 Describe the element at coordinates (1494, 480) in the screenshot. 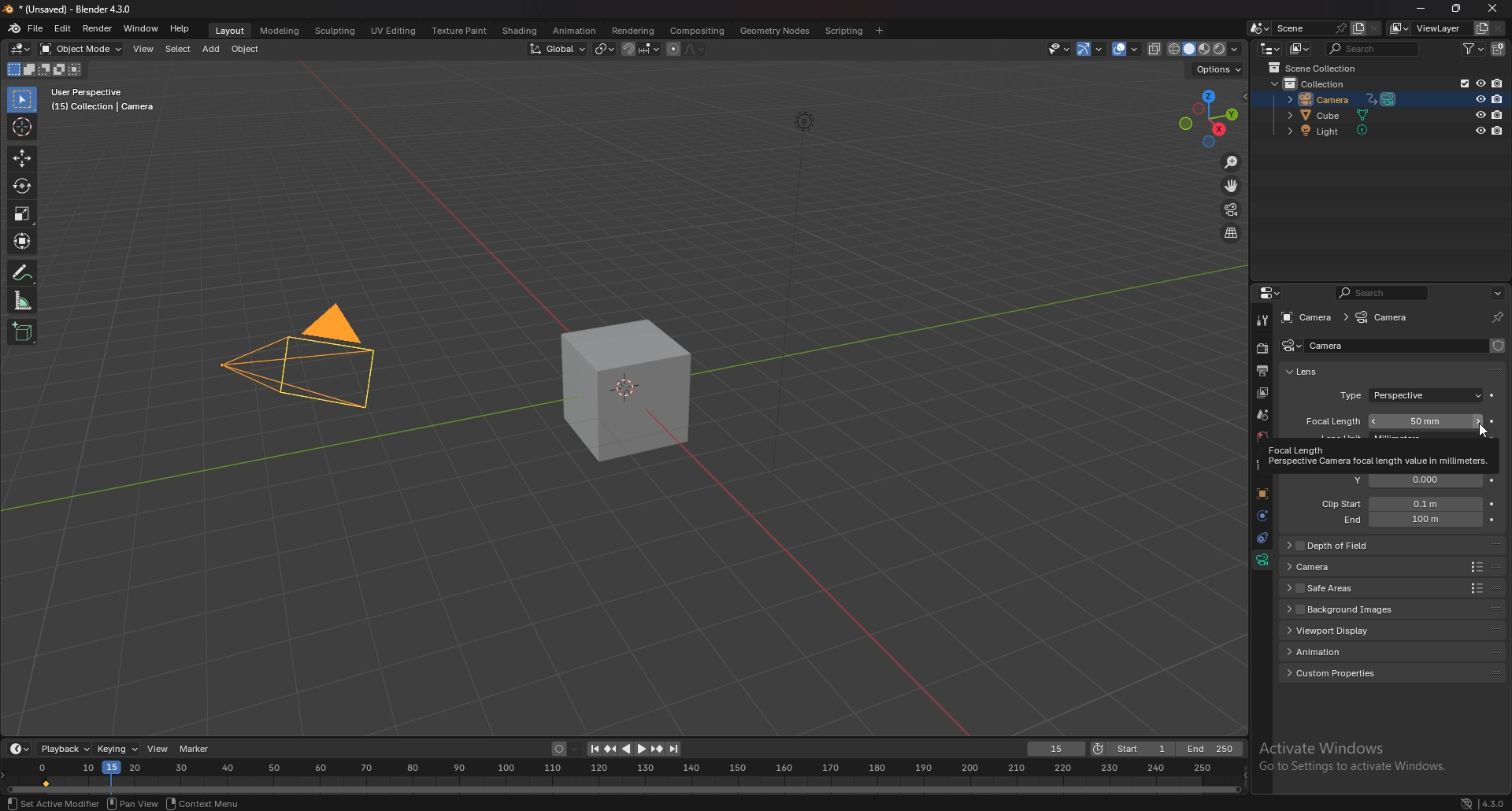

I see `animate property` at that location.